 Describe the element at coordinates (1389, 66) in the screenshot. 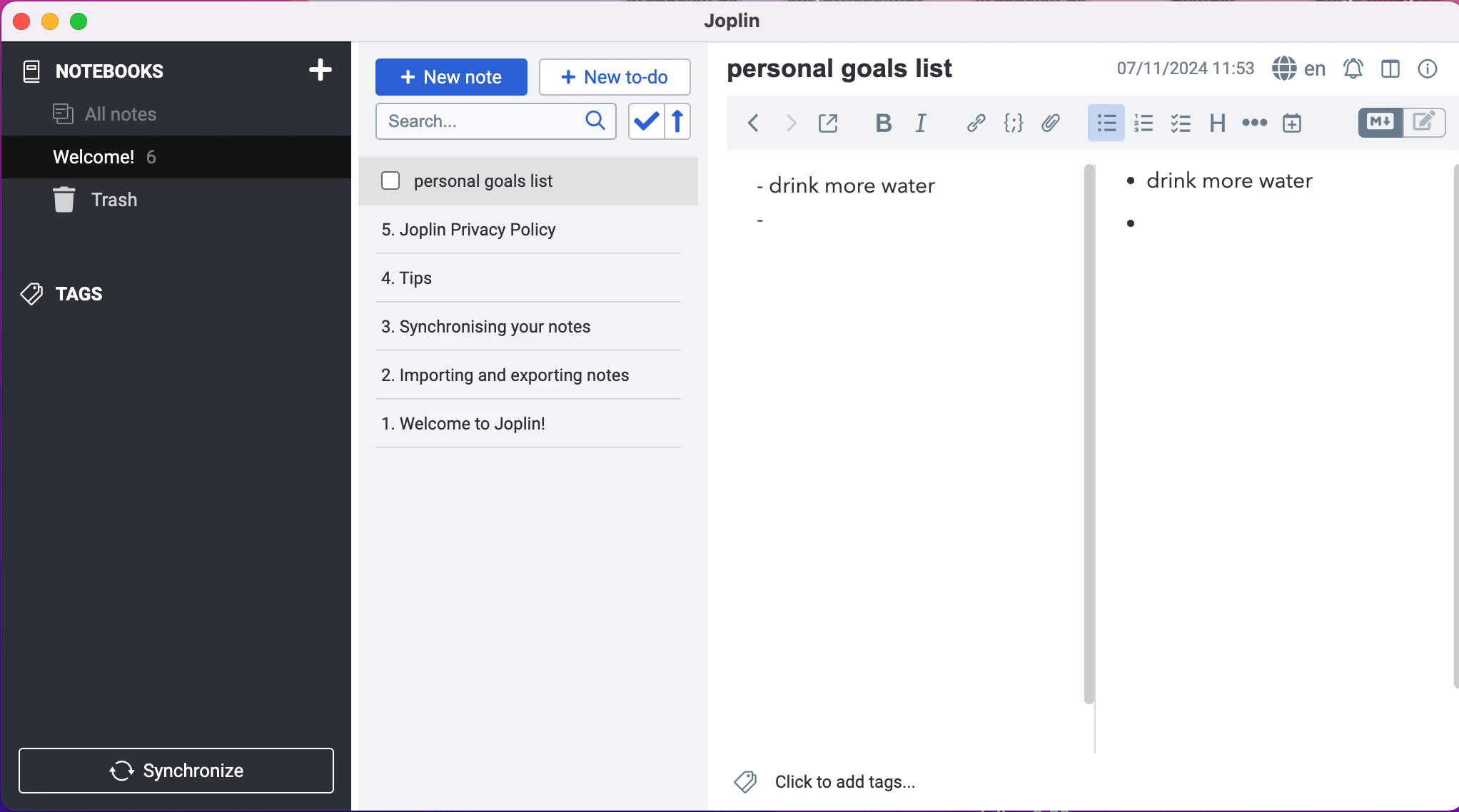

I see `toggle editor layour` at that location.